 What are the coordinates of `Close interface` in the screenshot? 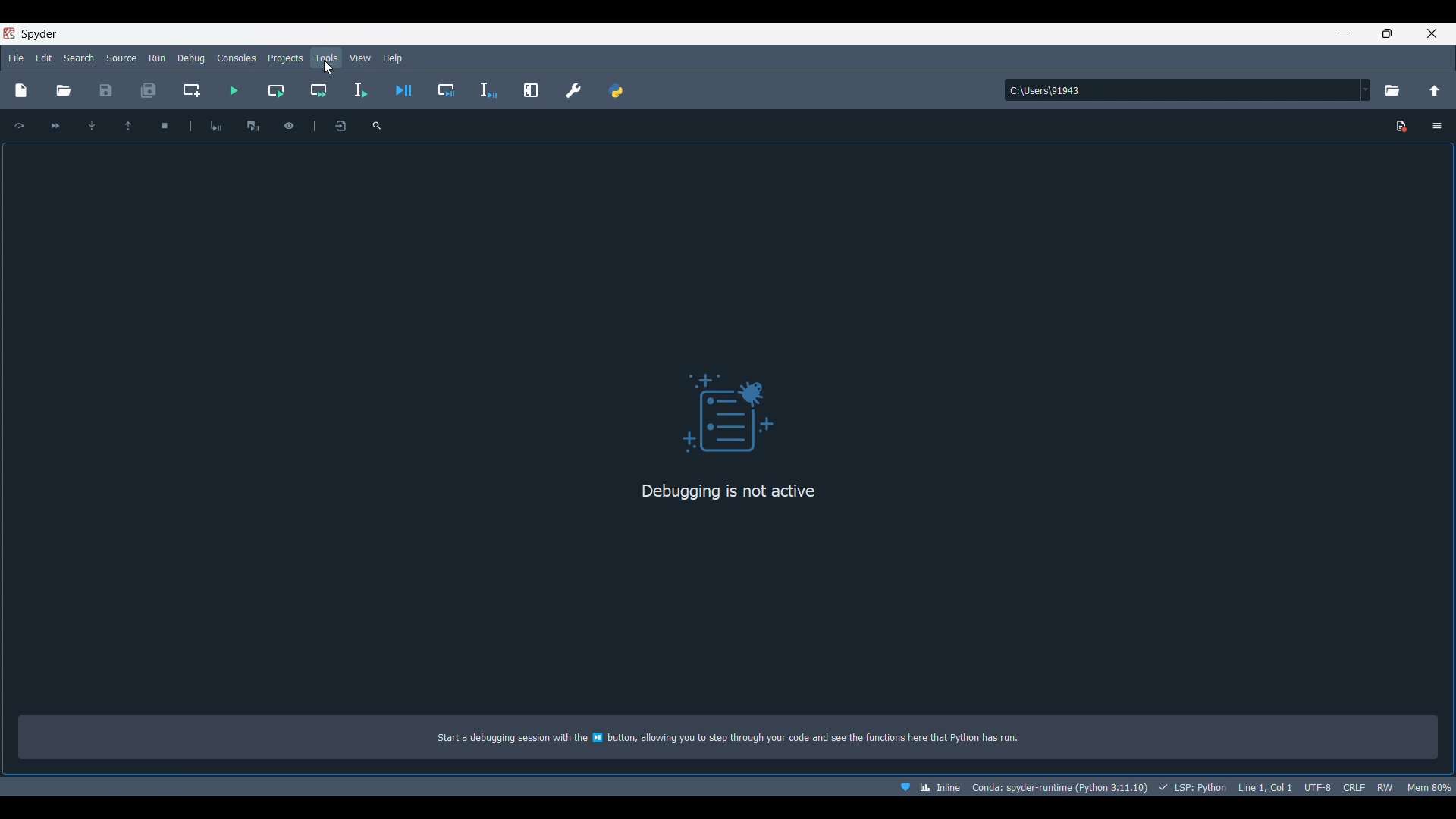 It's located at (1432, 33).